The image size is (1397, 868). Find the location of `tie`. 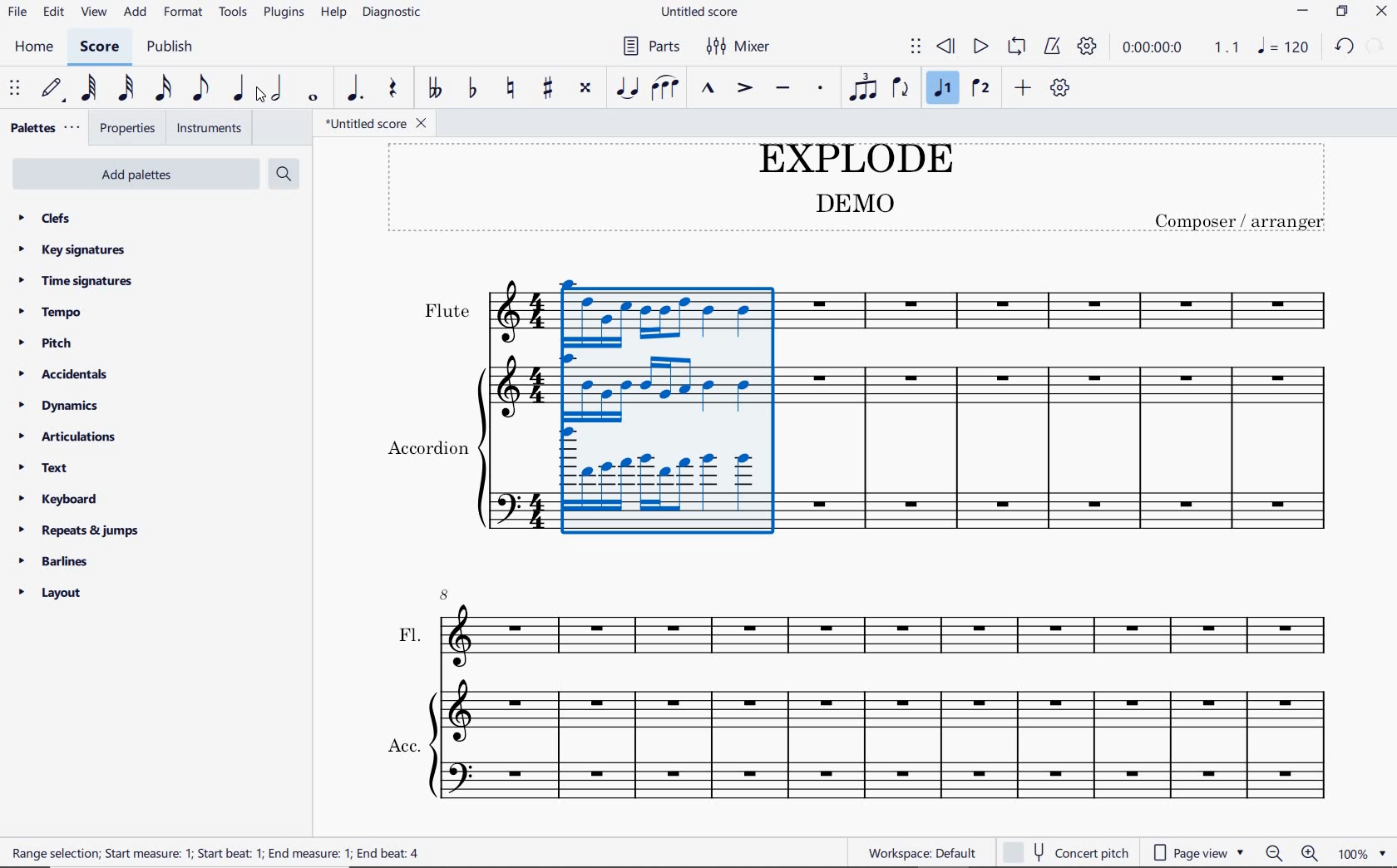

tie is located at coordinates (627, 86).